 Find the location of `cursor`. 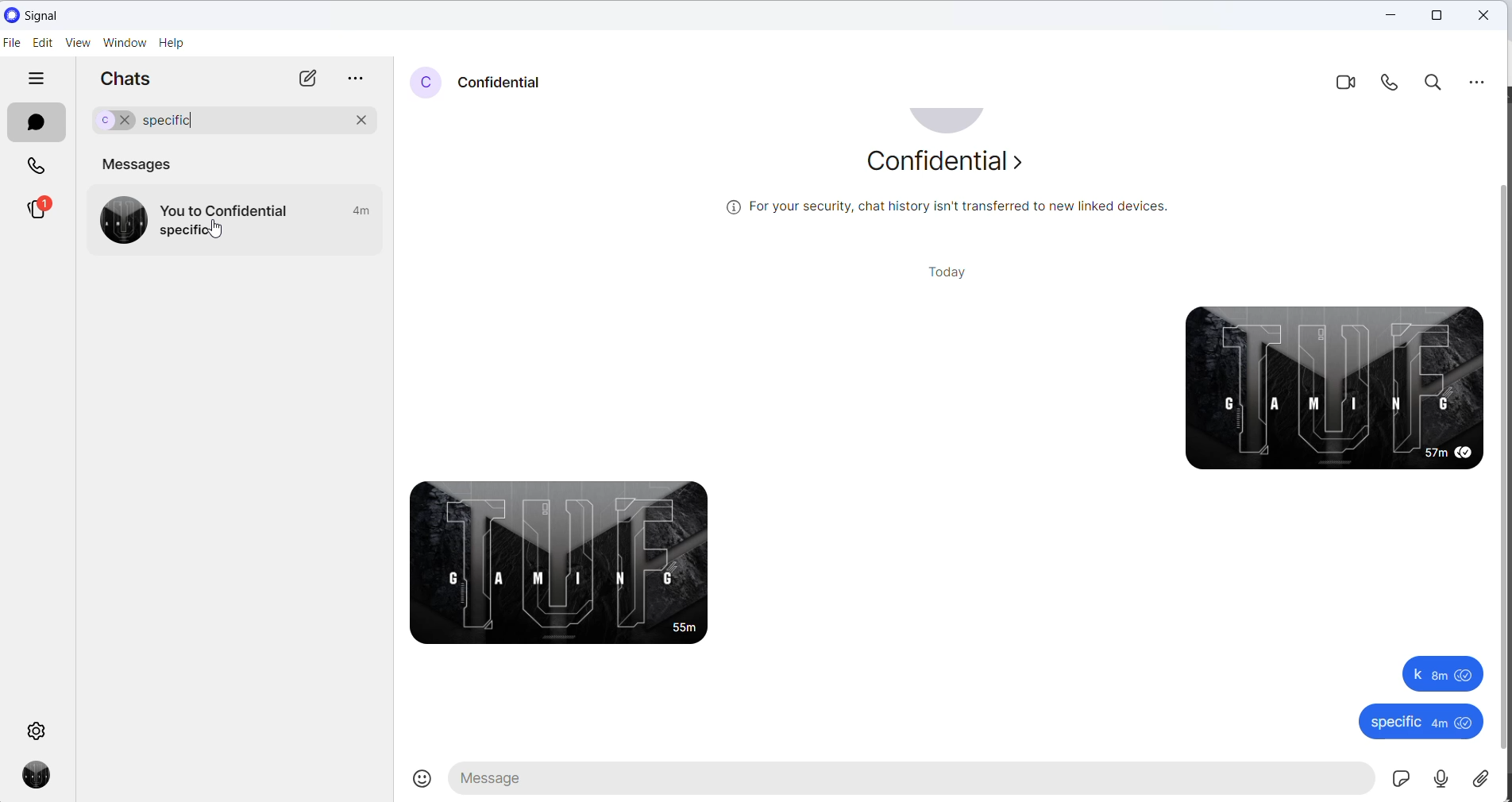

cursor is located at coordinates (221, 228).